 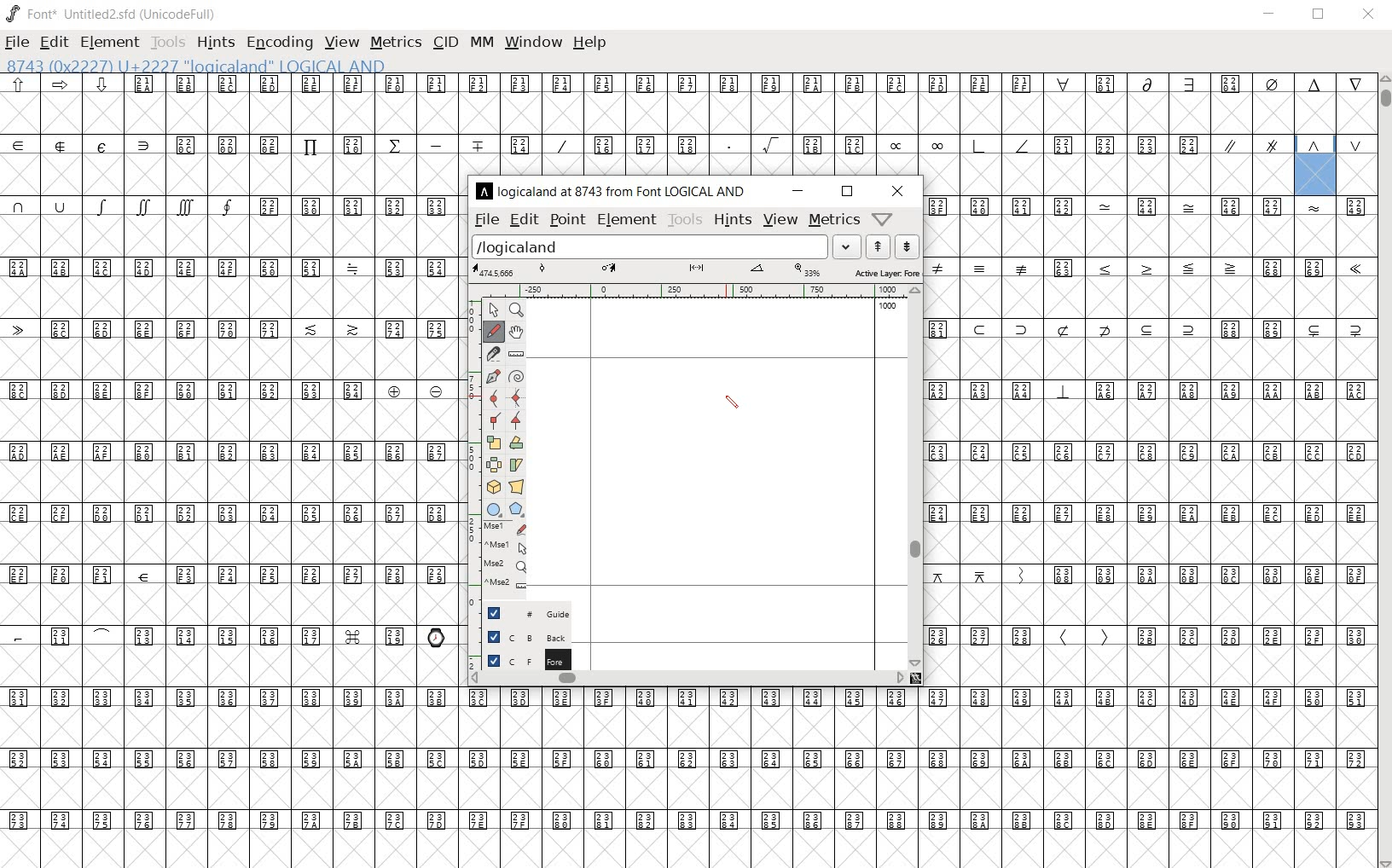 What do you see at coordinates (879, 246) in the screenshot?
I see `show the next word on the list` at bounding box center [879, 246].